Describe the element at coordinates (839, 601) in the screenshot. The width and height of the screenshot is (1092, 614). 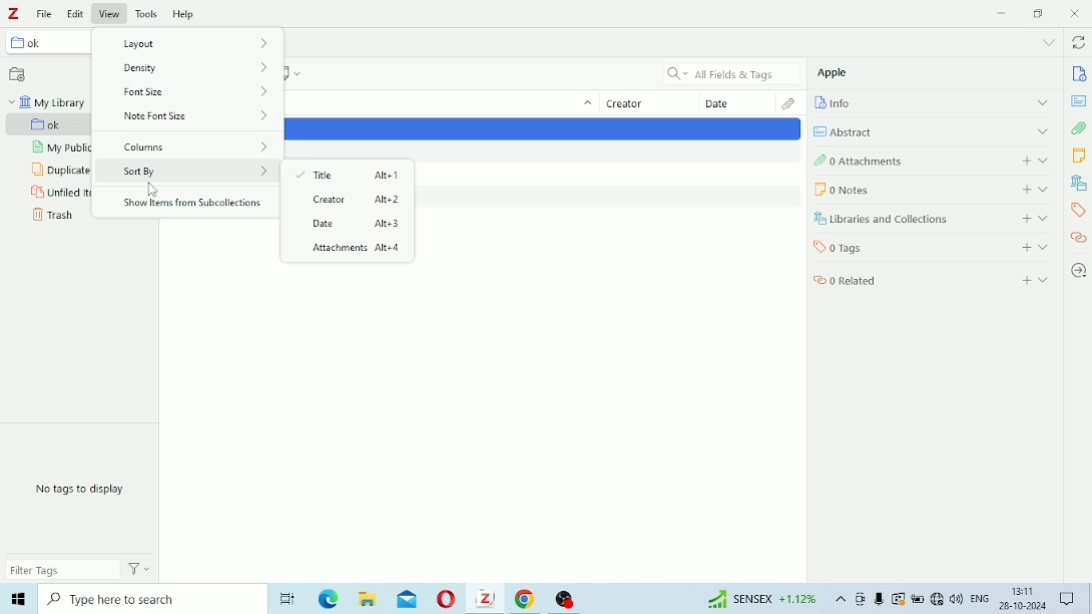
I see `Show hidden icons` at that location.